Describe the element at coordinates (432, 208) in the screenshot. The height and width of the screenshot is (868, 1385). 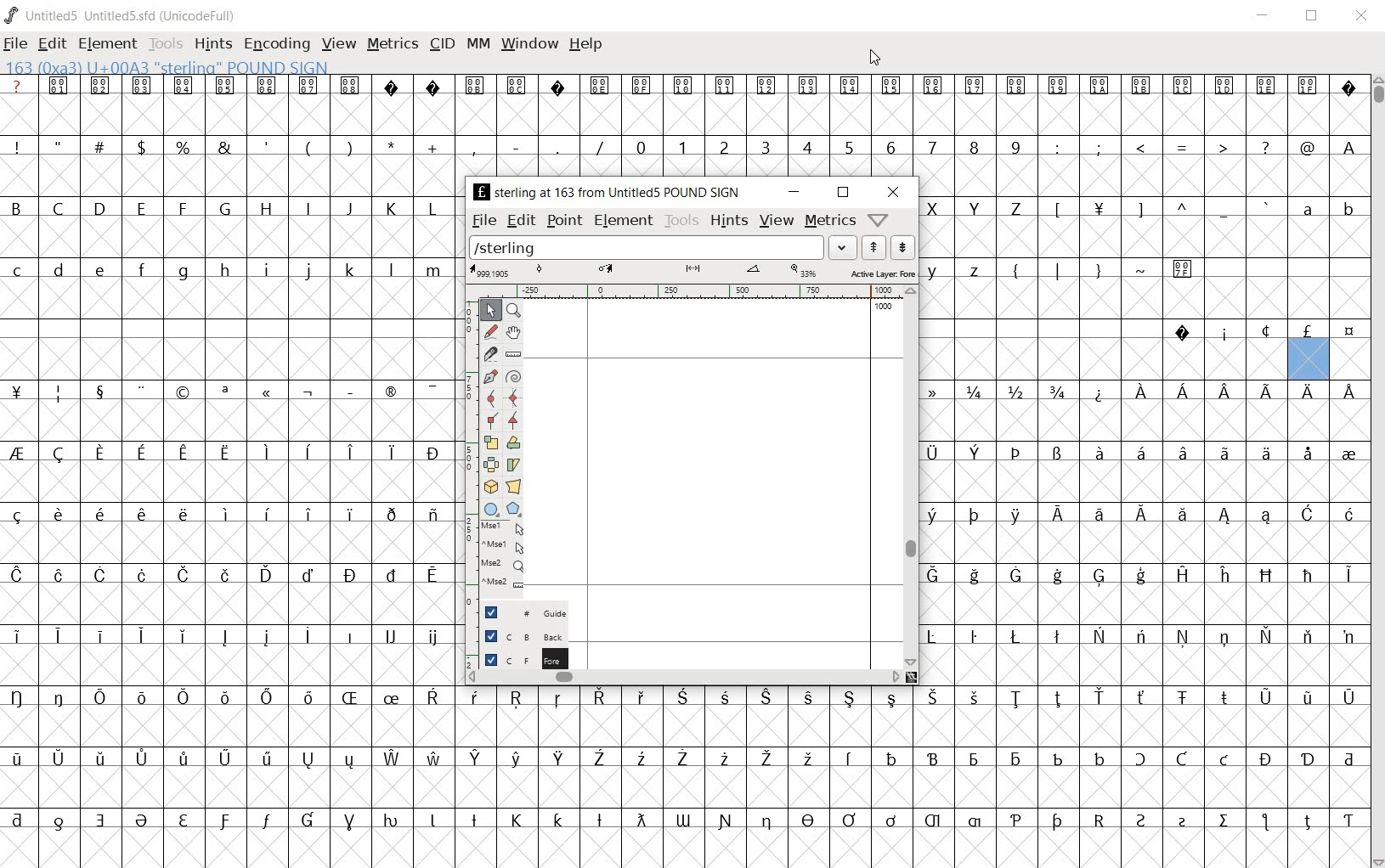
I see `L` at that location.